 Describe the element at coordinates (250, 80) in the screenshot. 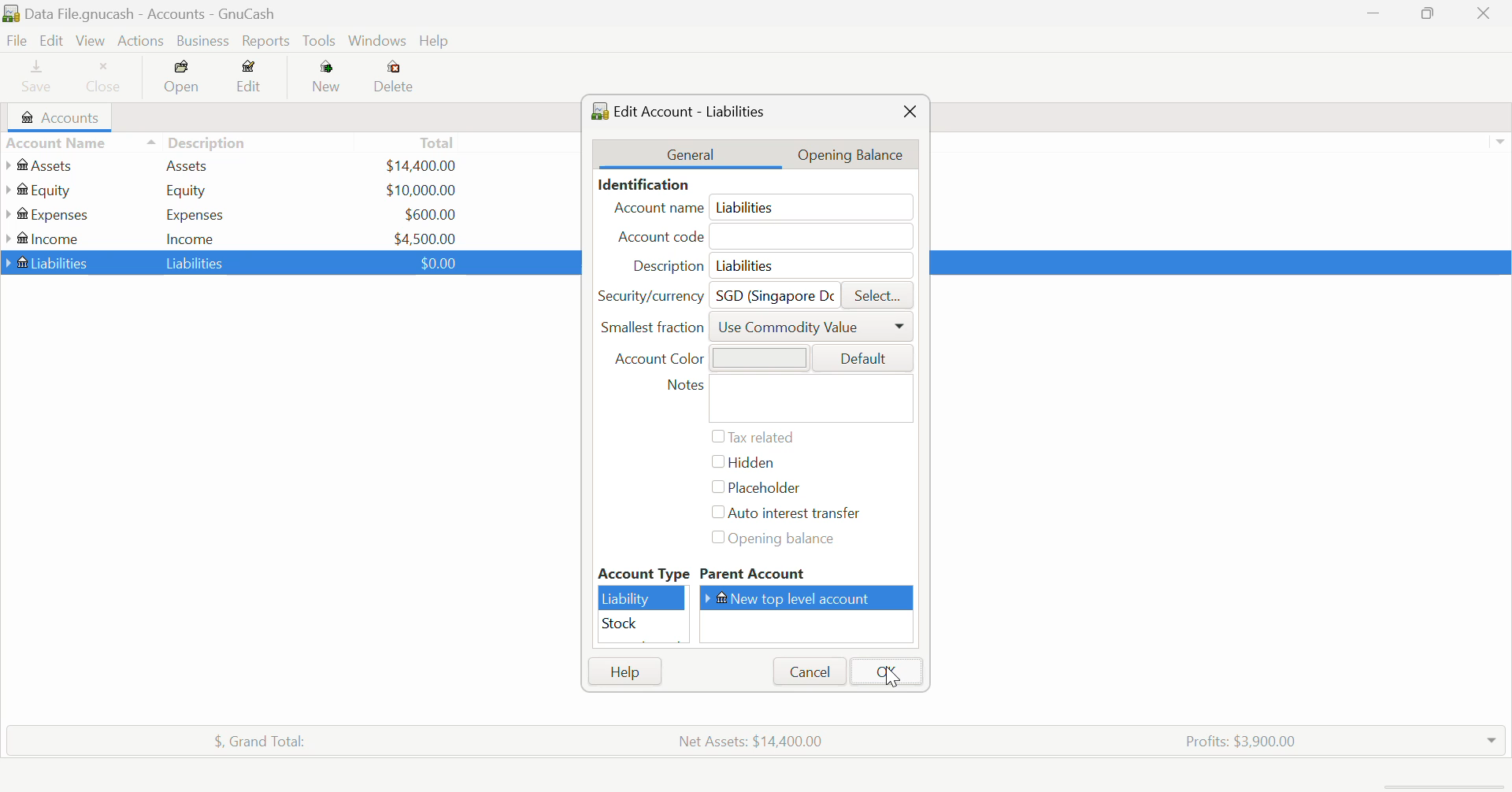

I see `Edit` at that location.